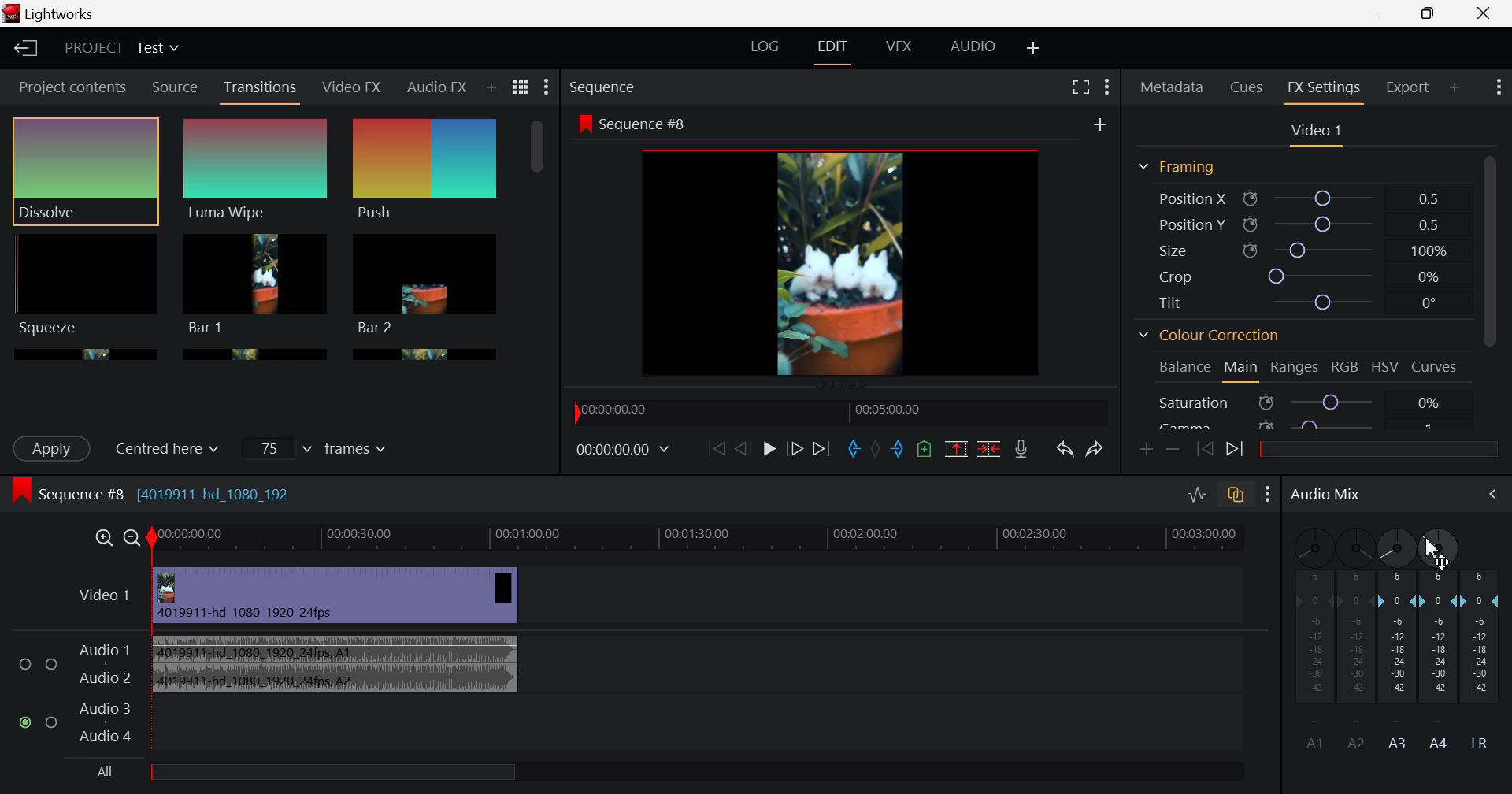  Describe the element at coordinates (66, 86) in the screenshot. I see `Project contents` at that location.